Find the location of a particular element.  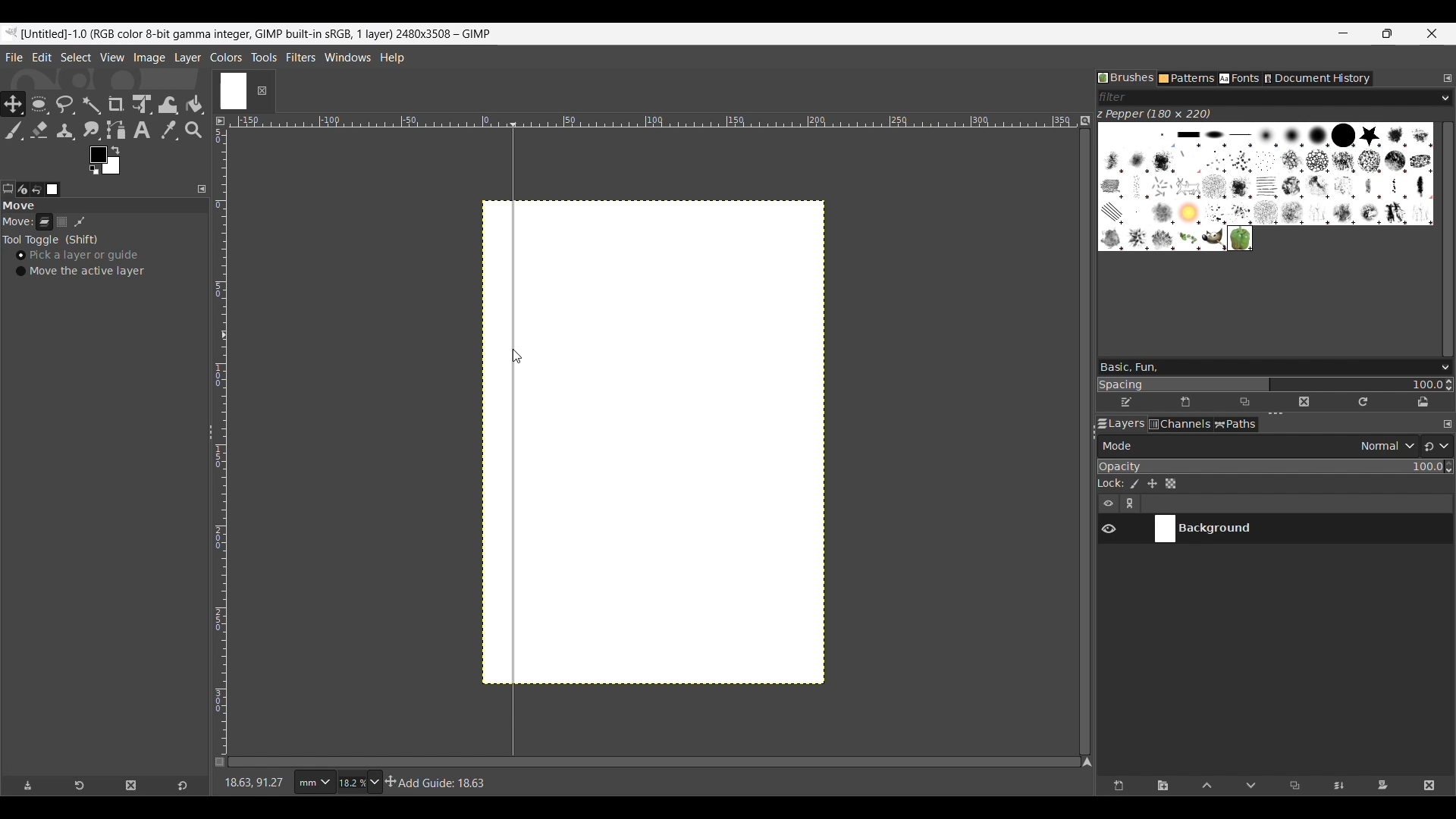

Show interface in a smaller tab is located at coordinates (1387, 33).